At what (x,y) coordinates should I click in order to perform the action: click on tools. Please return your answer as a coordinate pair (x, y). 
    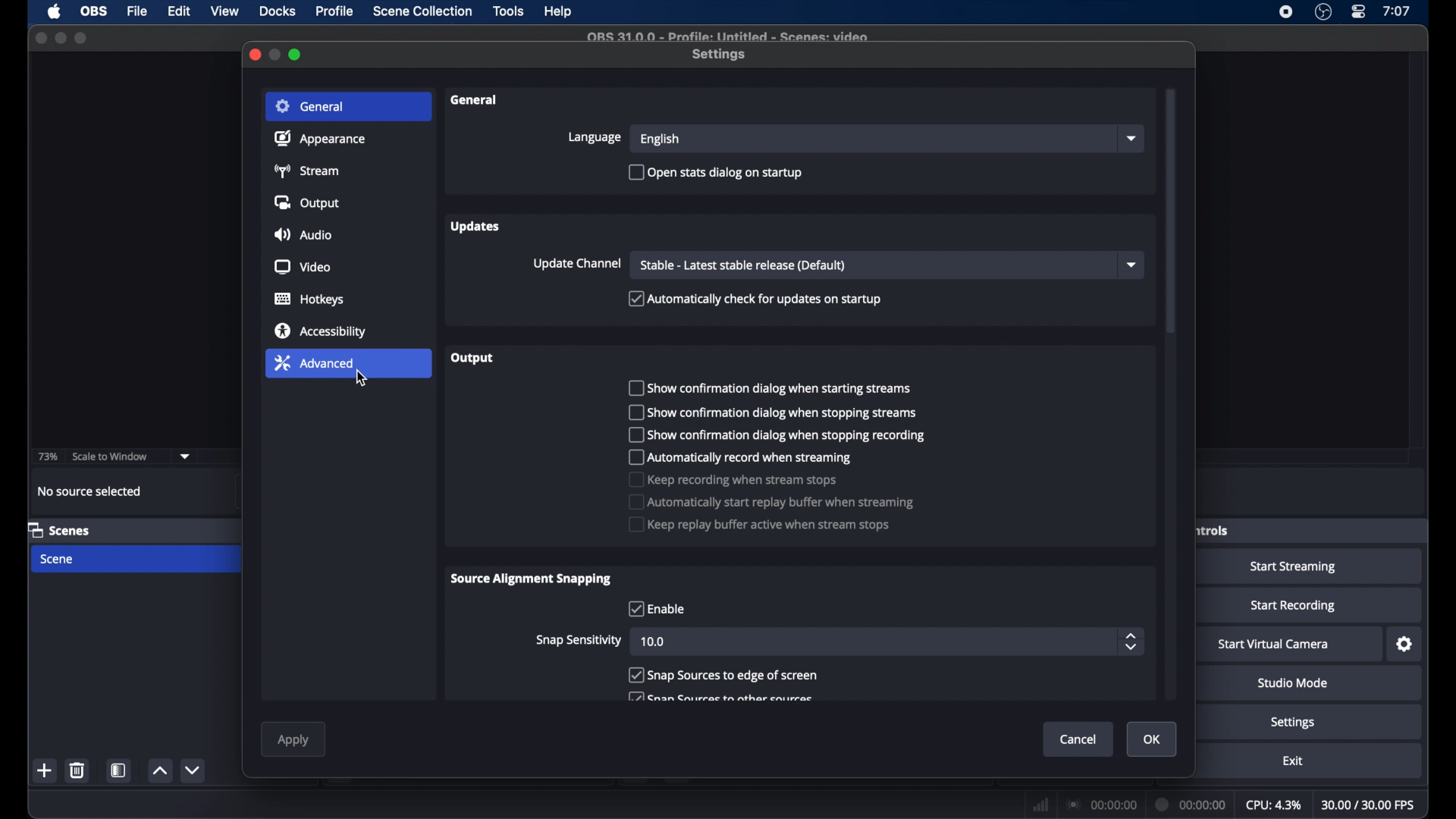
    Looking at the image, I should click on (508, 11).